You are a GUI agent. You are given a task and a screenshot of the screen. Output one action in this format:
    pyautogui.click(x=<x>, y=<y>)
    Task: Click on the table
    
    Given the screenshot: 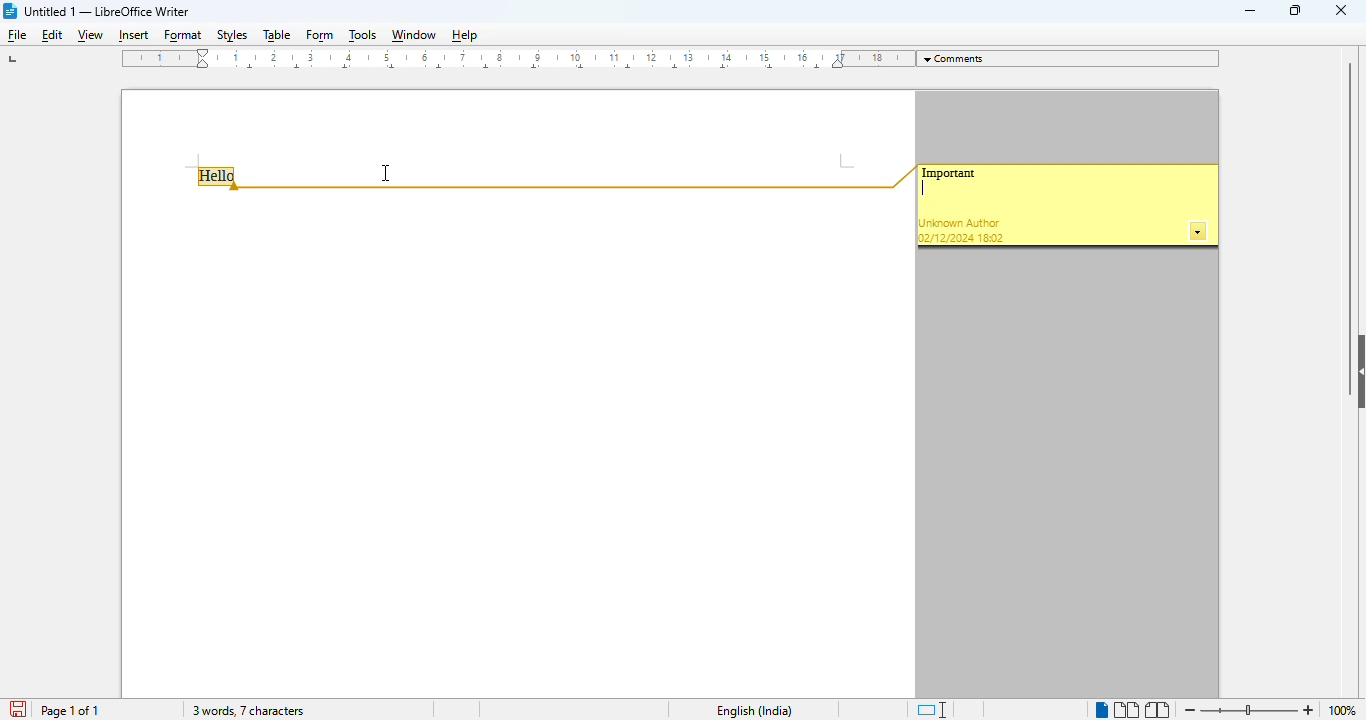 What is the action you would take?
    pyautogui.click(x=276, y=36)
    